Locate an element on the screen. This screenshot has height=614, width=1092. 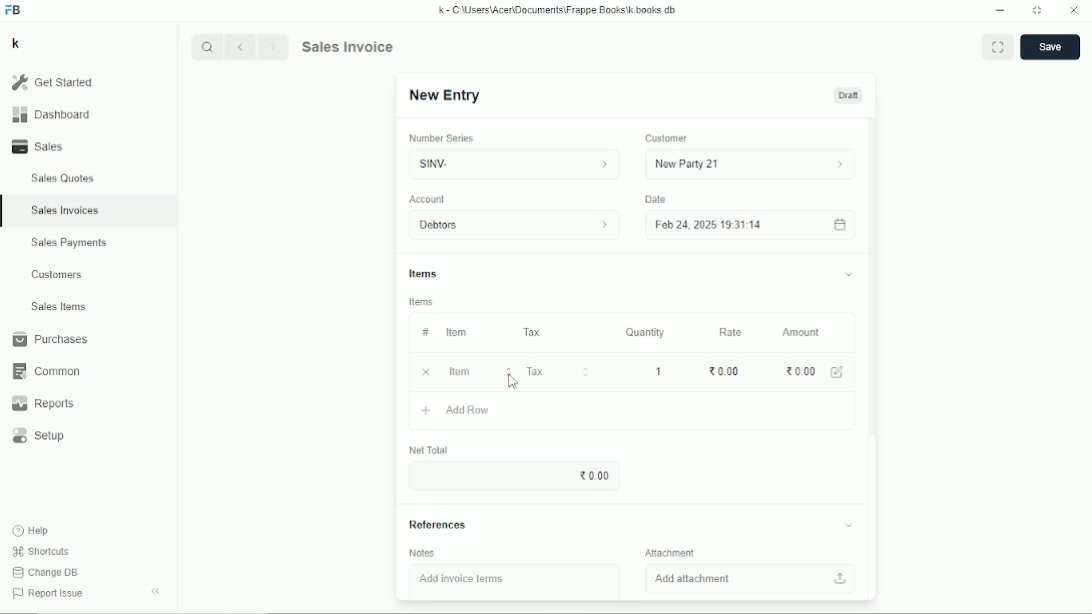
Report issue is located at coordinates (46, 595).